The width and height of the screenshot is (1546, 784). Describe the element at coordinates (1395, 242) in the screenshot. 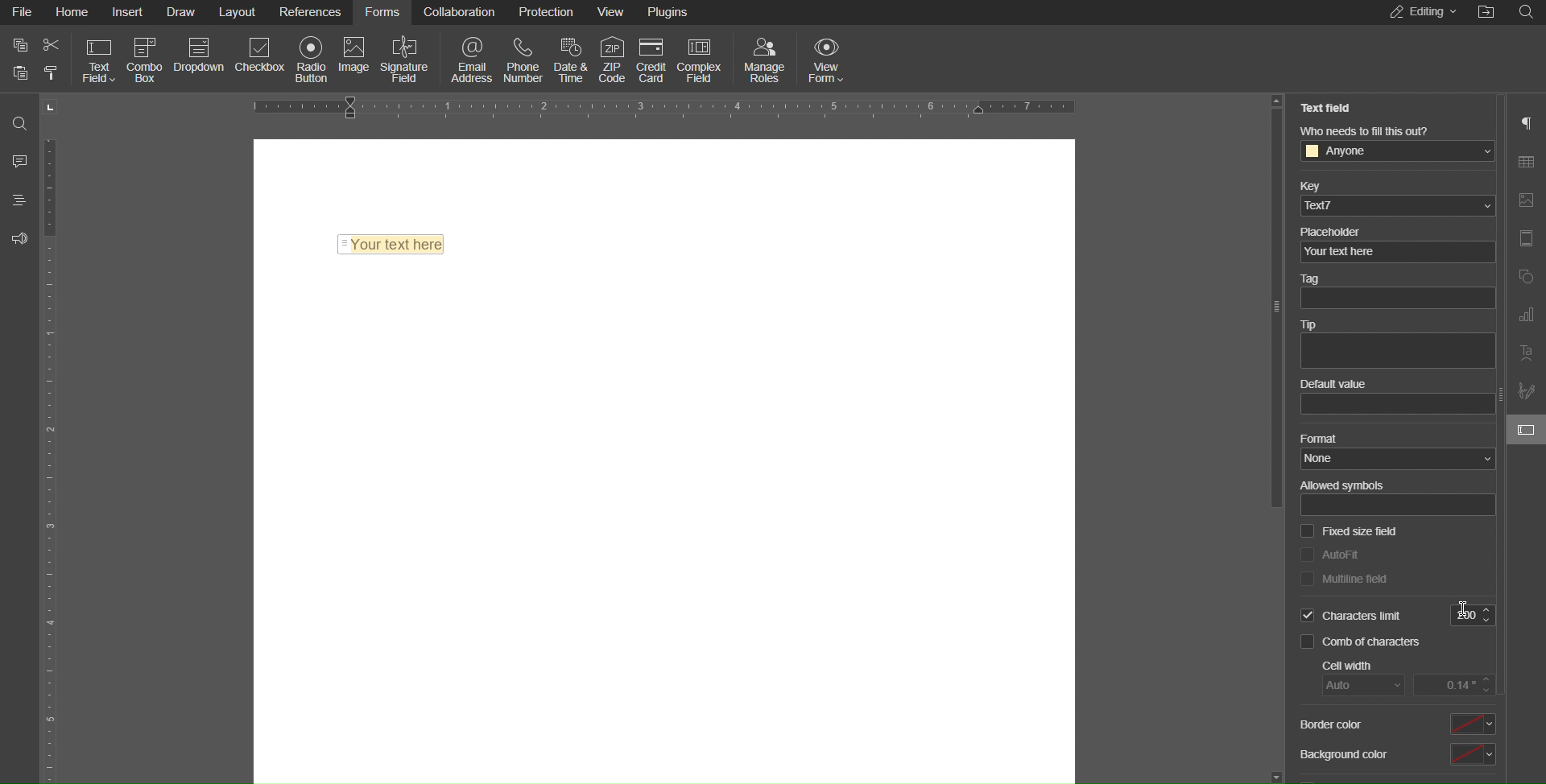

I see `Placeholder` at that location.